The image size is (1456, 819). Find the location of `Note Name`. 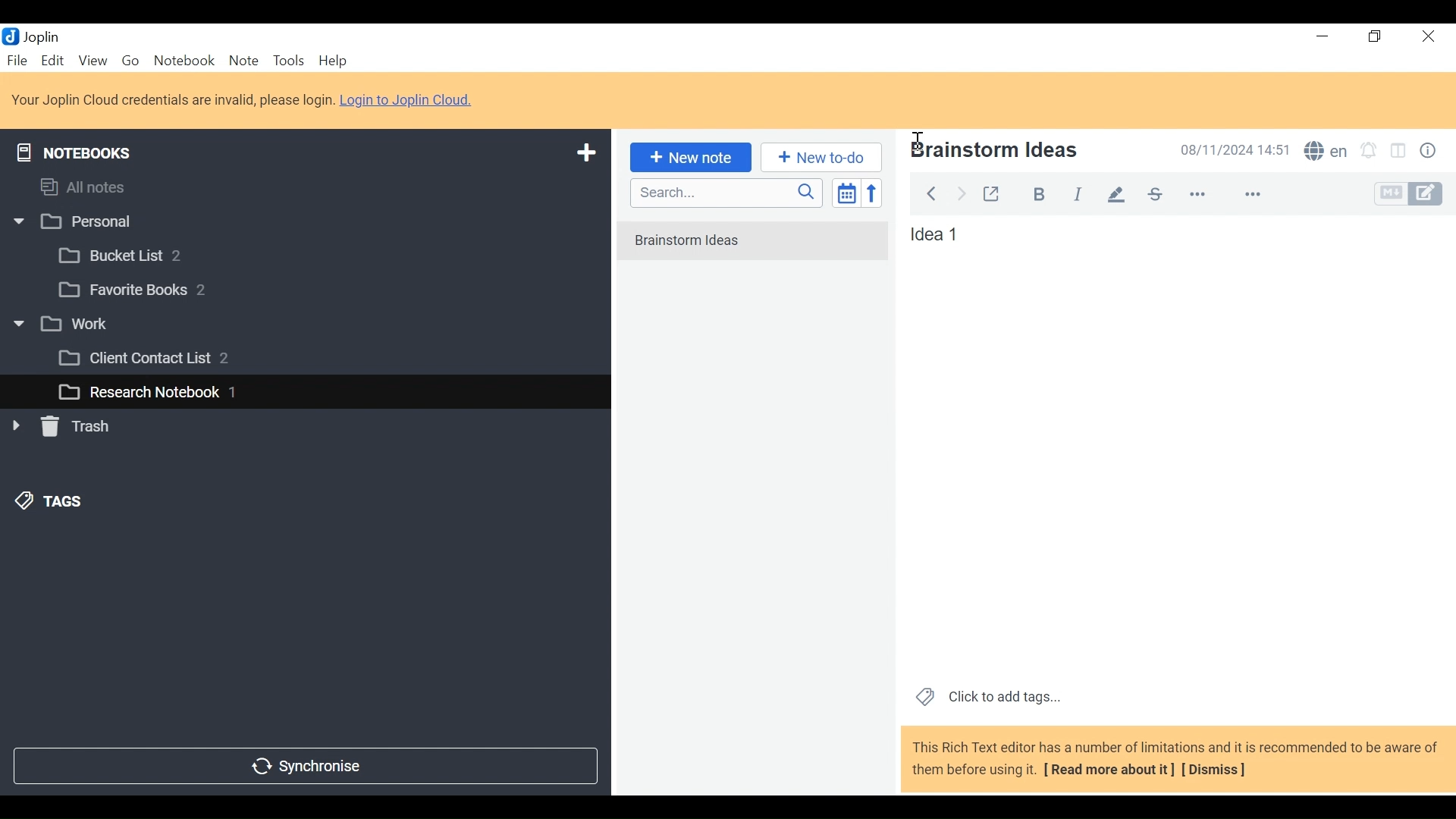

Note Name is located at coordinates (1026, 152).